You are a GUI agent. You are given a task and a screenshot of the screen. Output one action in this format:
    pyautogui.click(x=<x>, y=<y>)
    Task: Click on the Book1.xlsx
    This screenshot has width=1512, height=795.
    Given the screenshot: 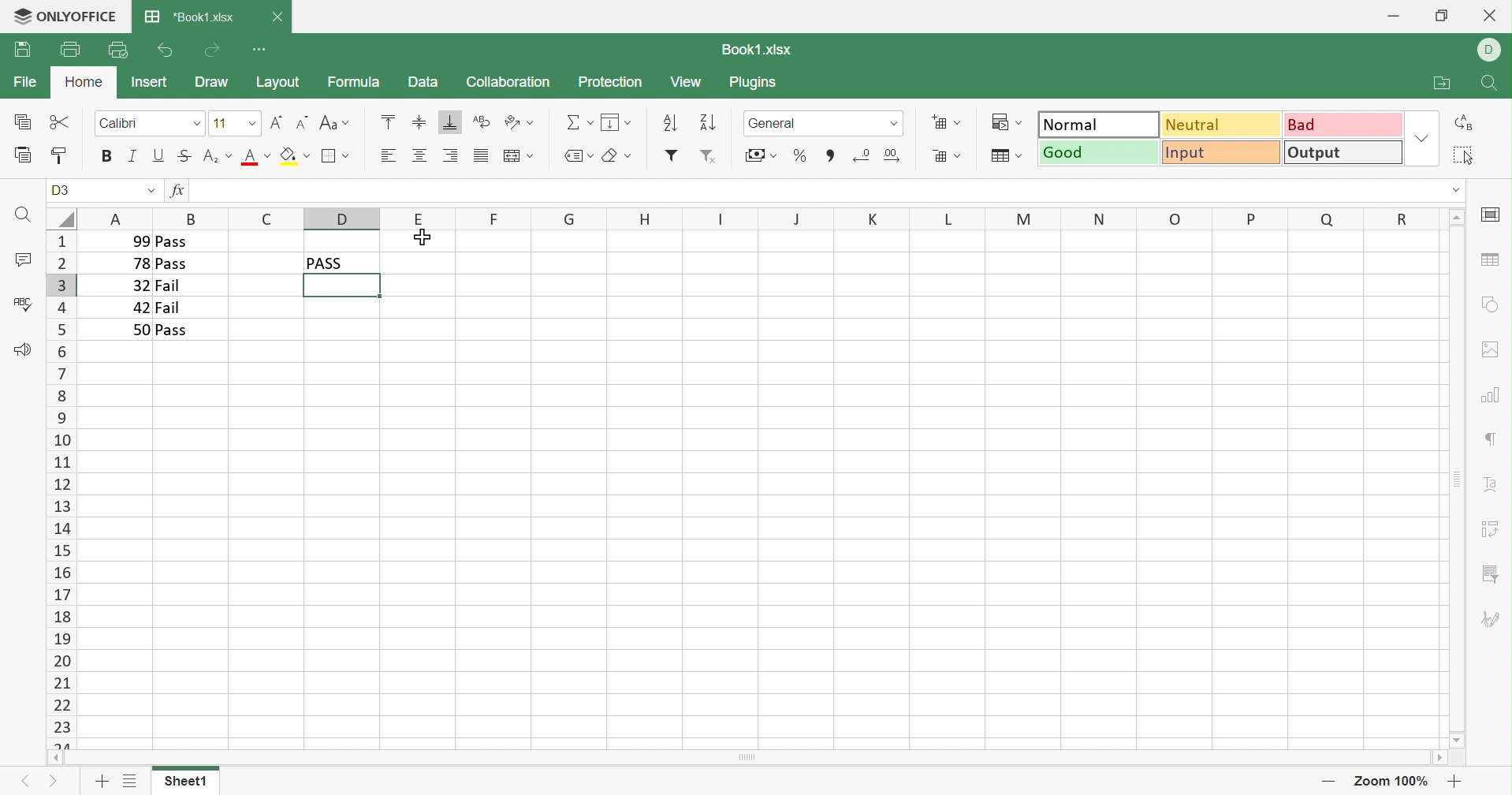 What is the action you would take?
    pyautogui.click(x=755, y=50)
    